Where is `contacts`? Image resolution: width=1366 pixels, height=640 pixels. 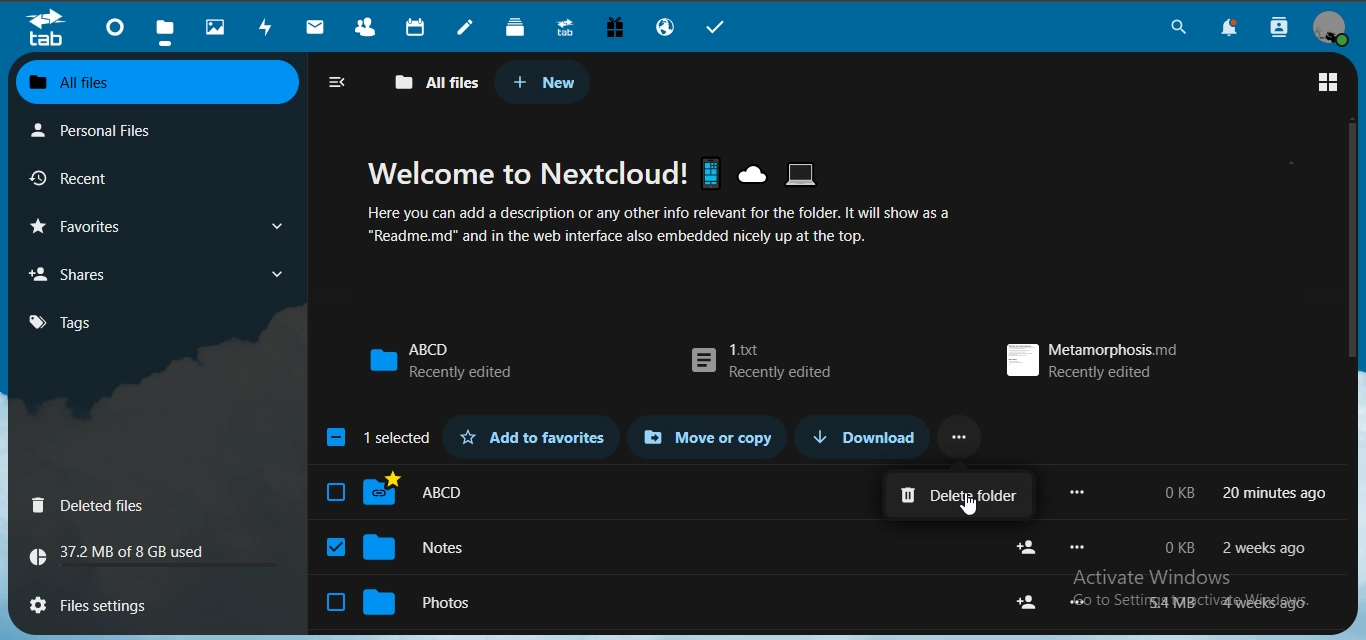 contacts is located at coordinates (368, 25).